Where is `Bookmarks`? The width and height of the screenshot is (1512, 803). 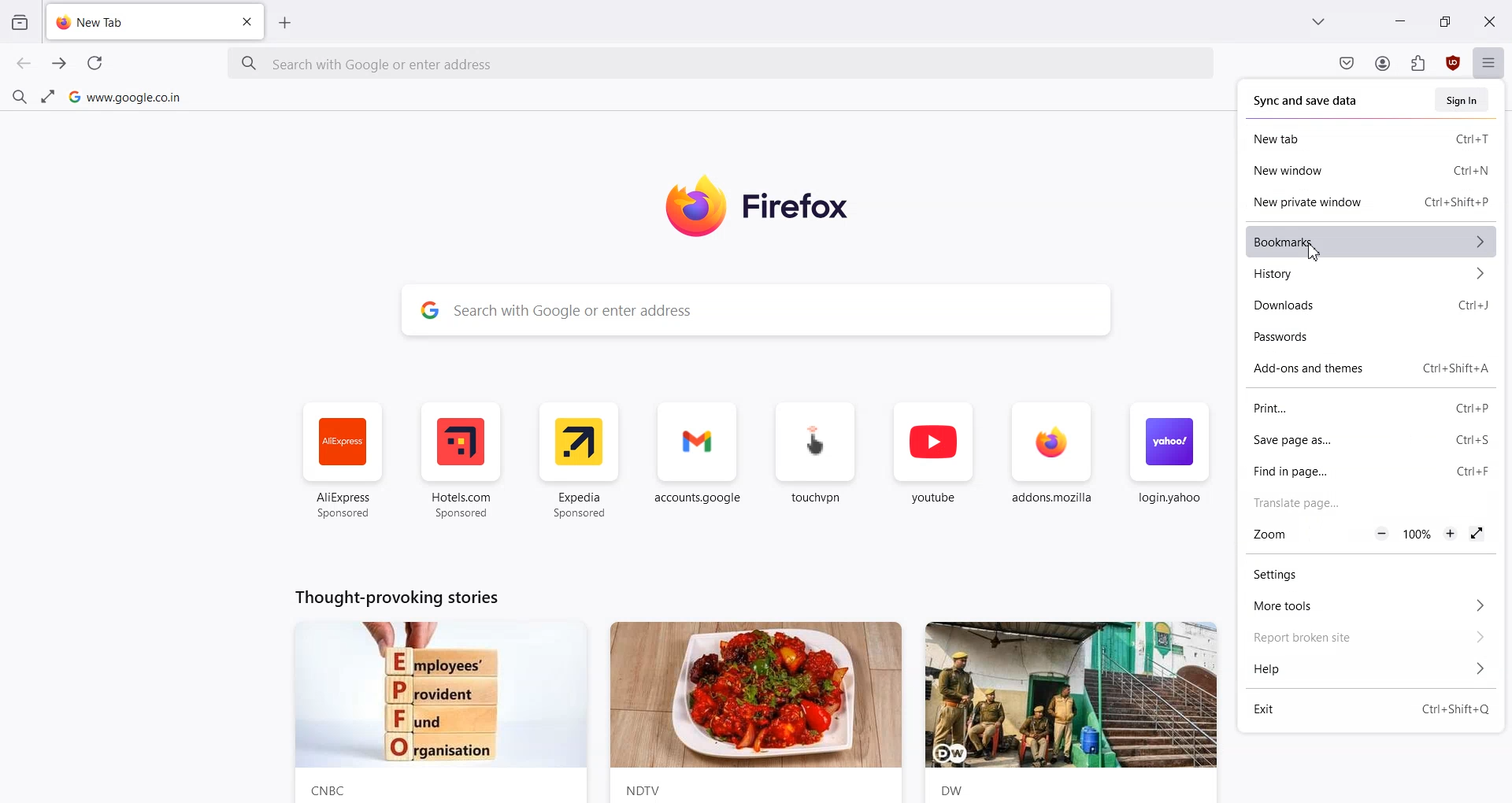 Bookmarks is located at coordinates (1372, 242).